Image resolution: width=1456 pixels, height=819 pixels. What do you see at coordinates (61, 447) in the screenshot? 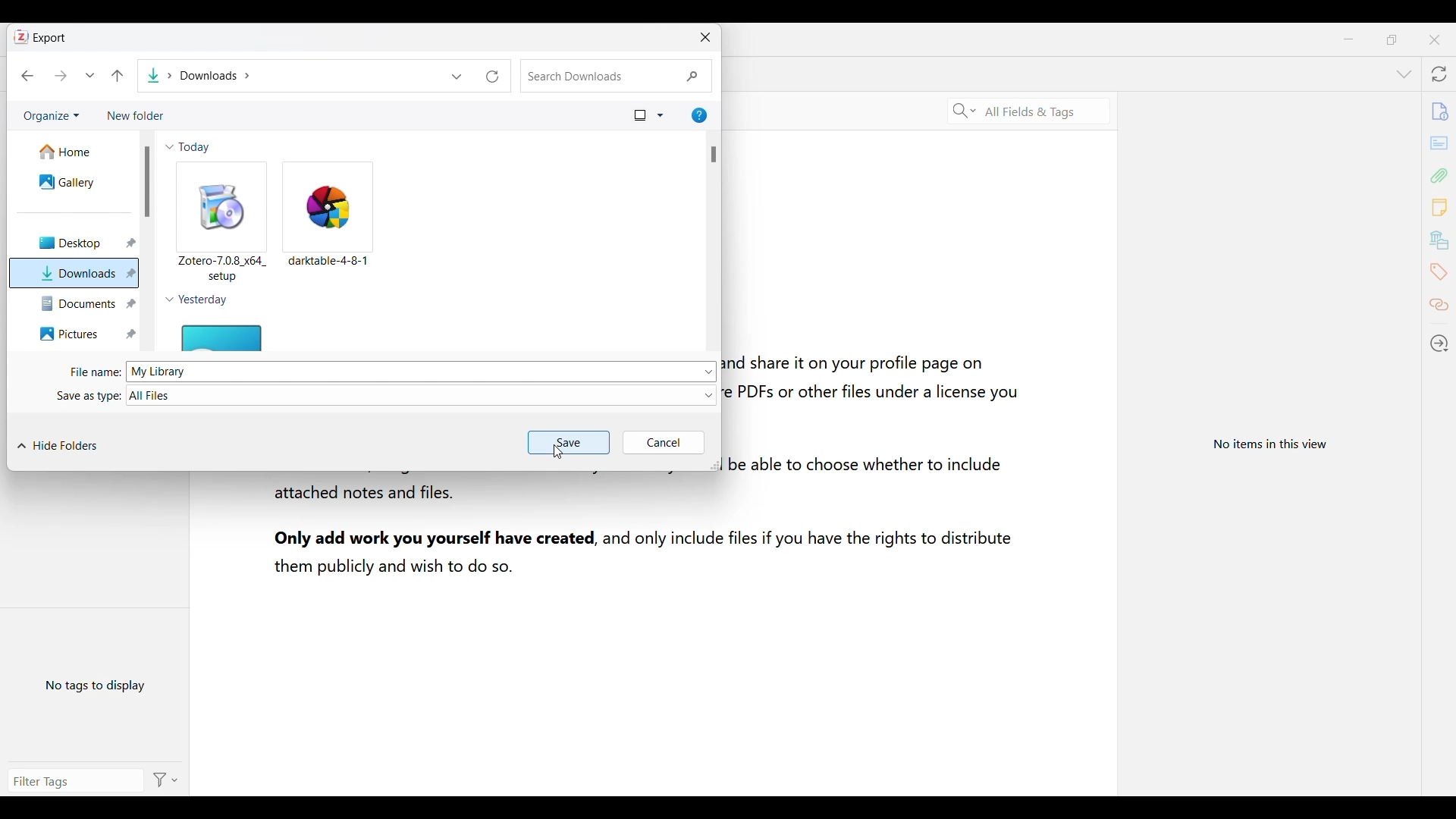
I see `Hide folders` at bounding box center [61, 447].